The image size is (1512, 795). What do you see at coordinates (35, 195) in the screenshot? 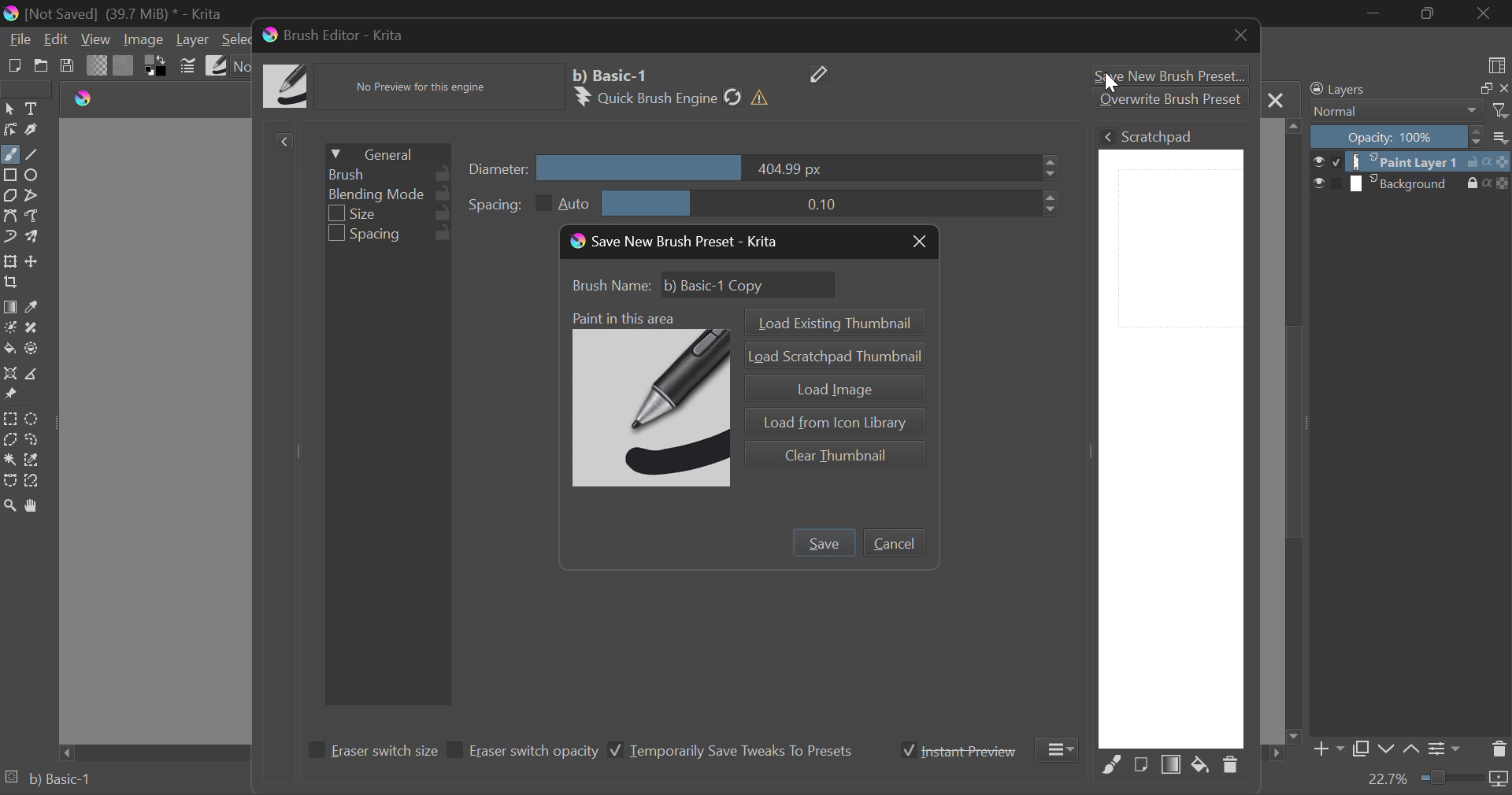
I see `Polyline` at bounding box center [35, 195].